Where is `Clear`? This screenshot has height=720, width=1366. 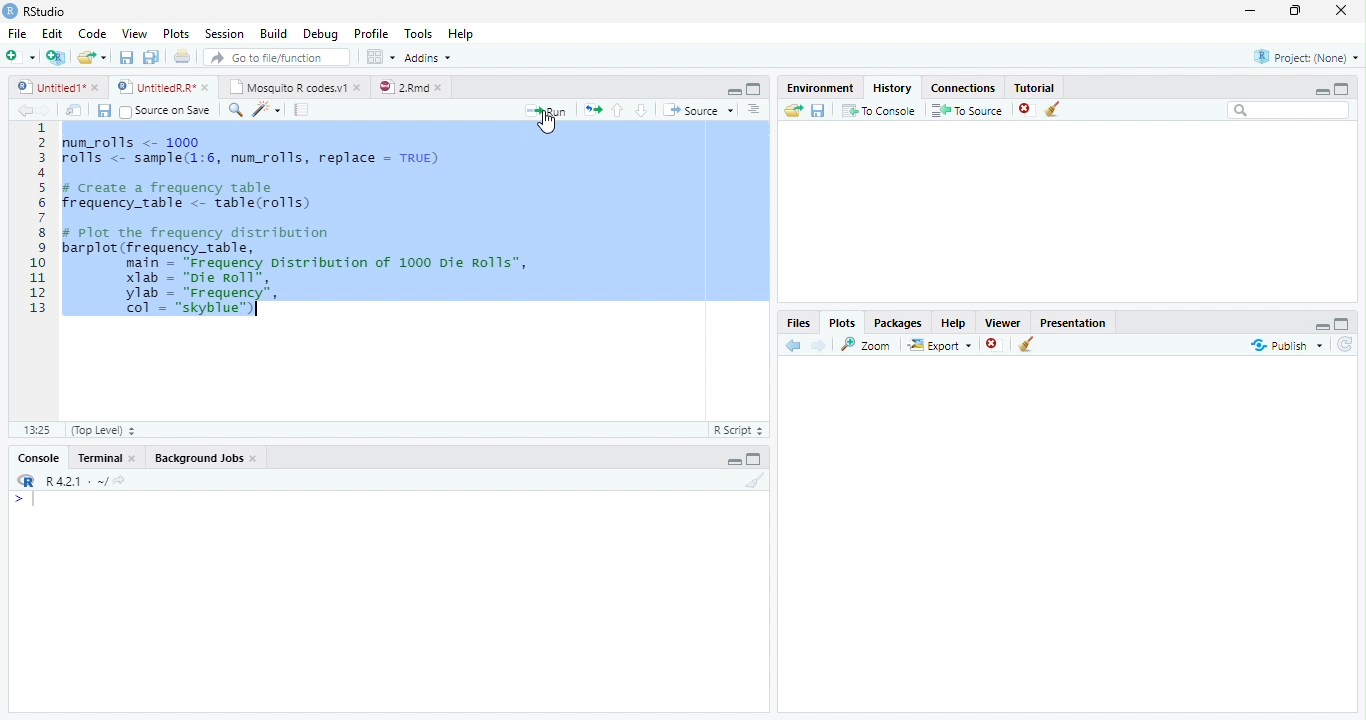 Clear is located at coordinates (1053, 109).